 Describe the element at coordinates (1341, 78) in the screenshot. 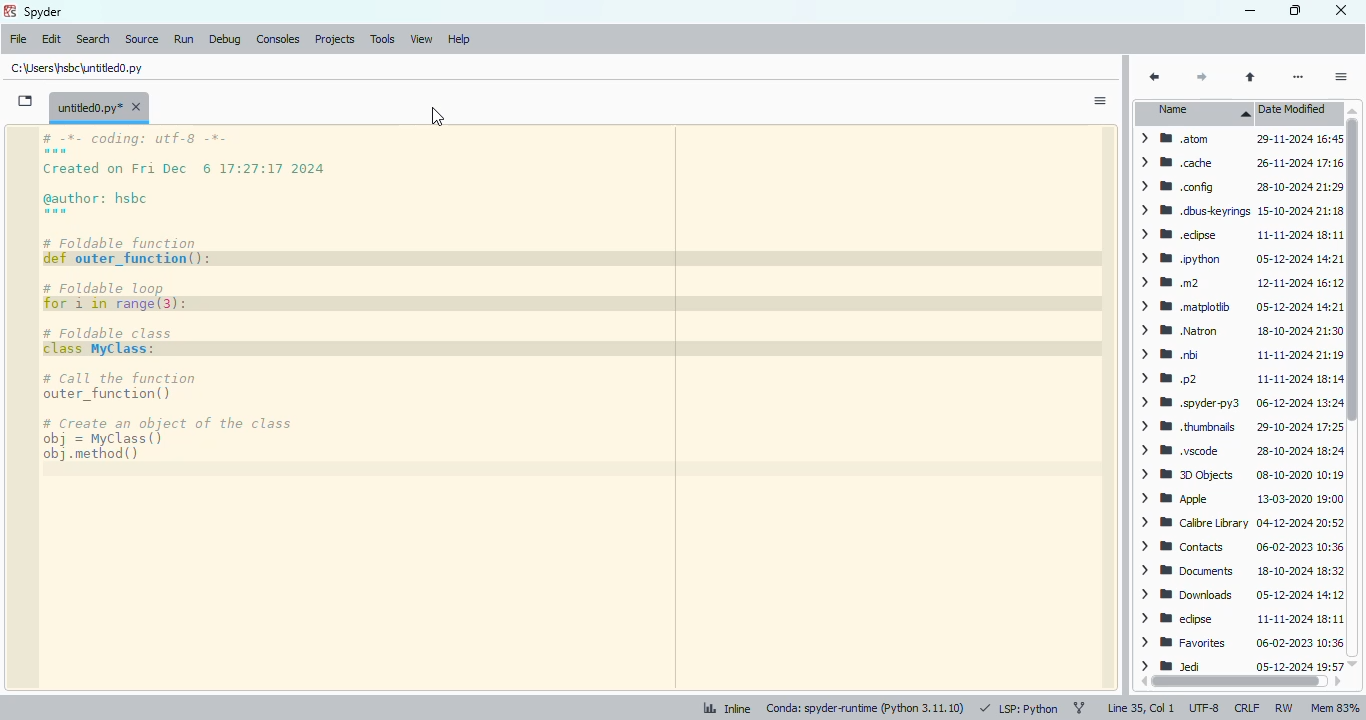

I see `options` at that location.